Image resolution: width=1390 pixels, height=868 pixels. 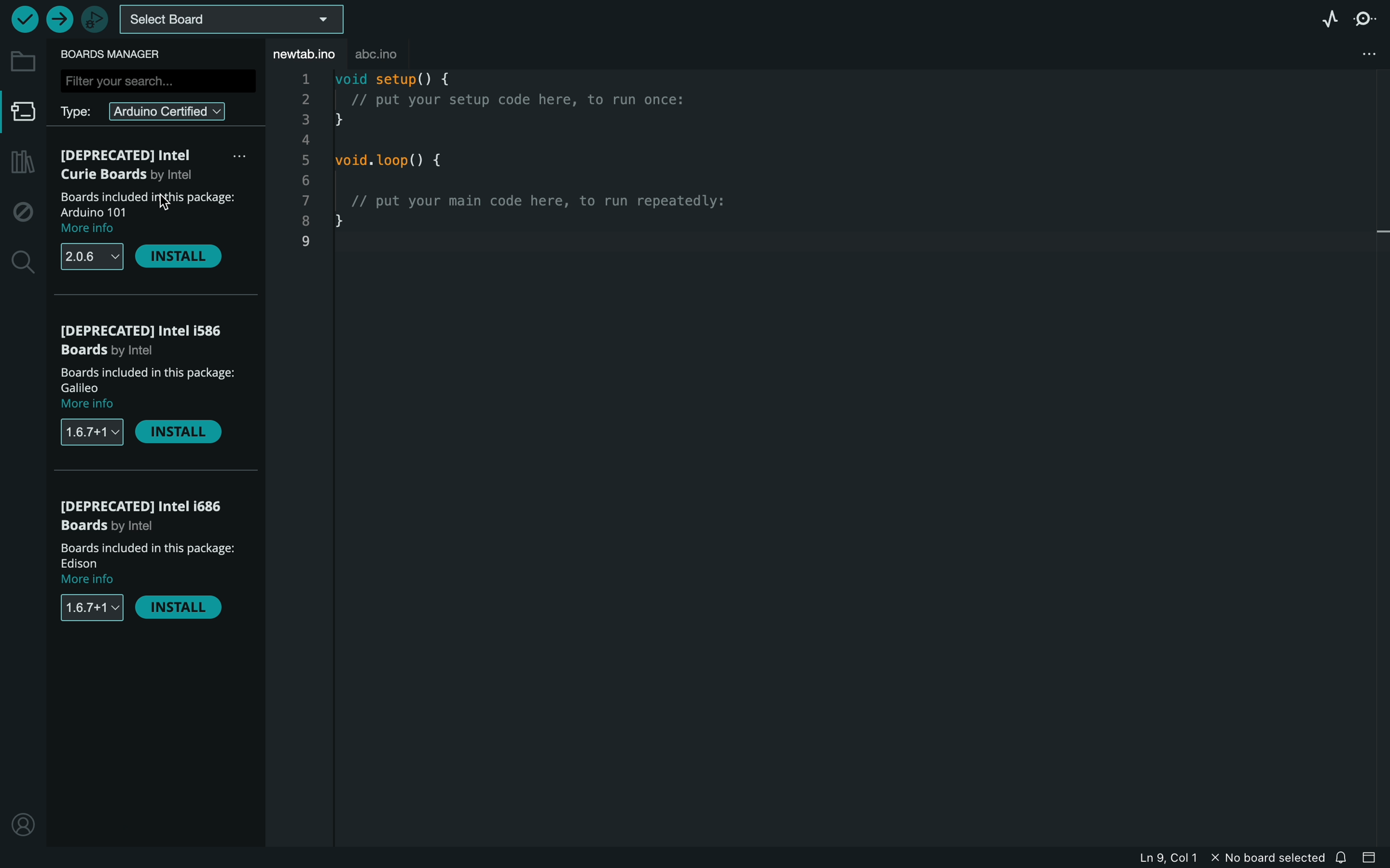 What do you see at coordinates (22, 822) in the screenshot?
I see `profile` at bounding box center [22, 822].